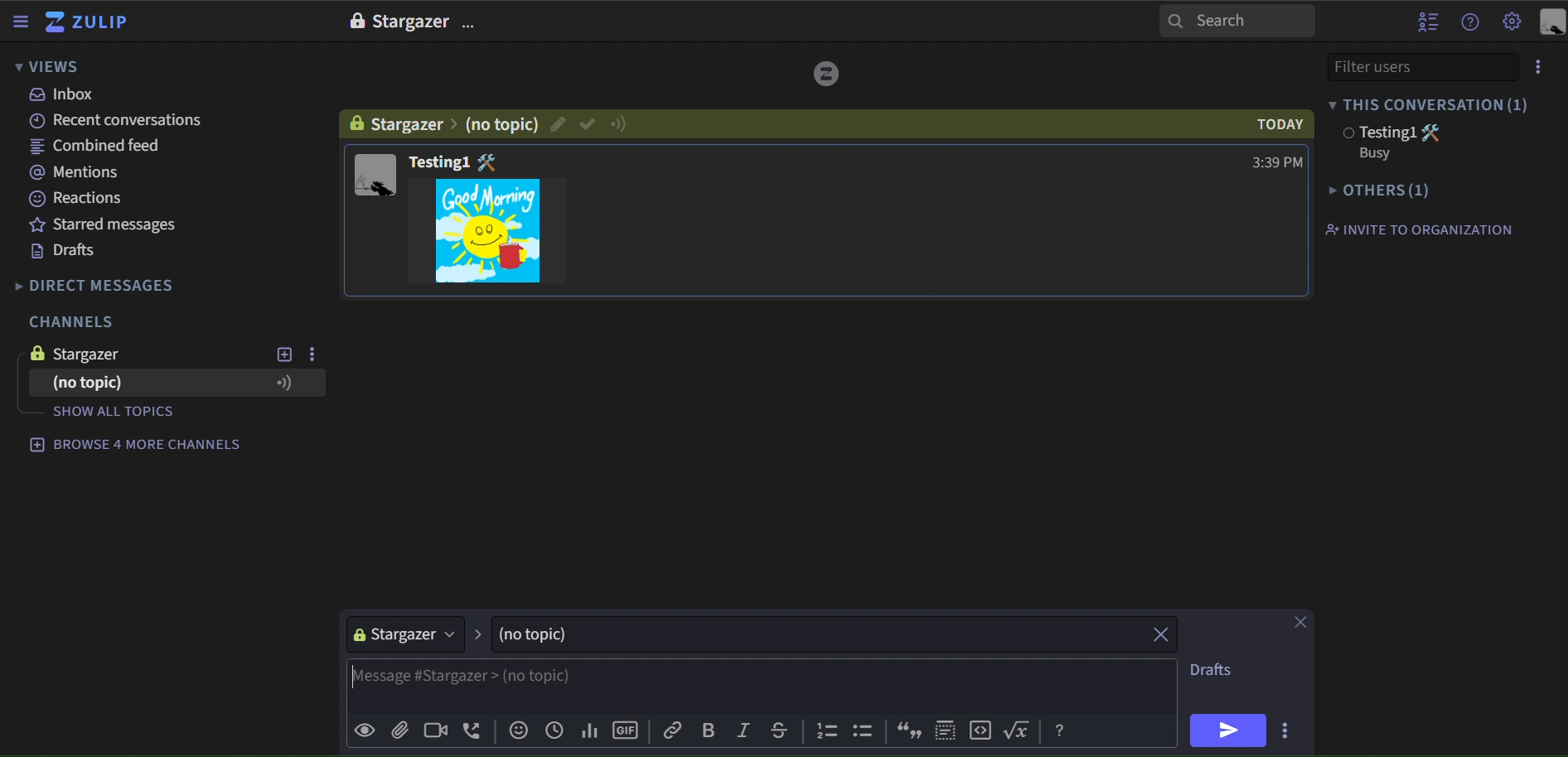 This screenshot has width=1568, height=757. What do you see at coordinates (22, 23) in the screenshot?
I see `hide sidebar` at bounding box center [22, 23].